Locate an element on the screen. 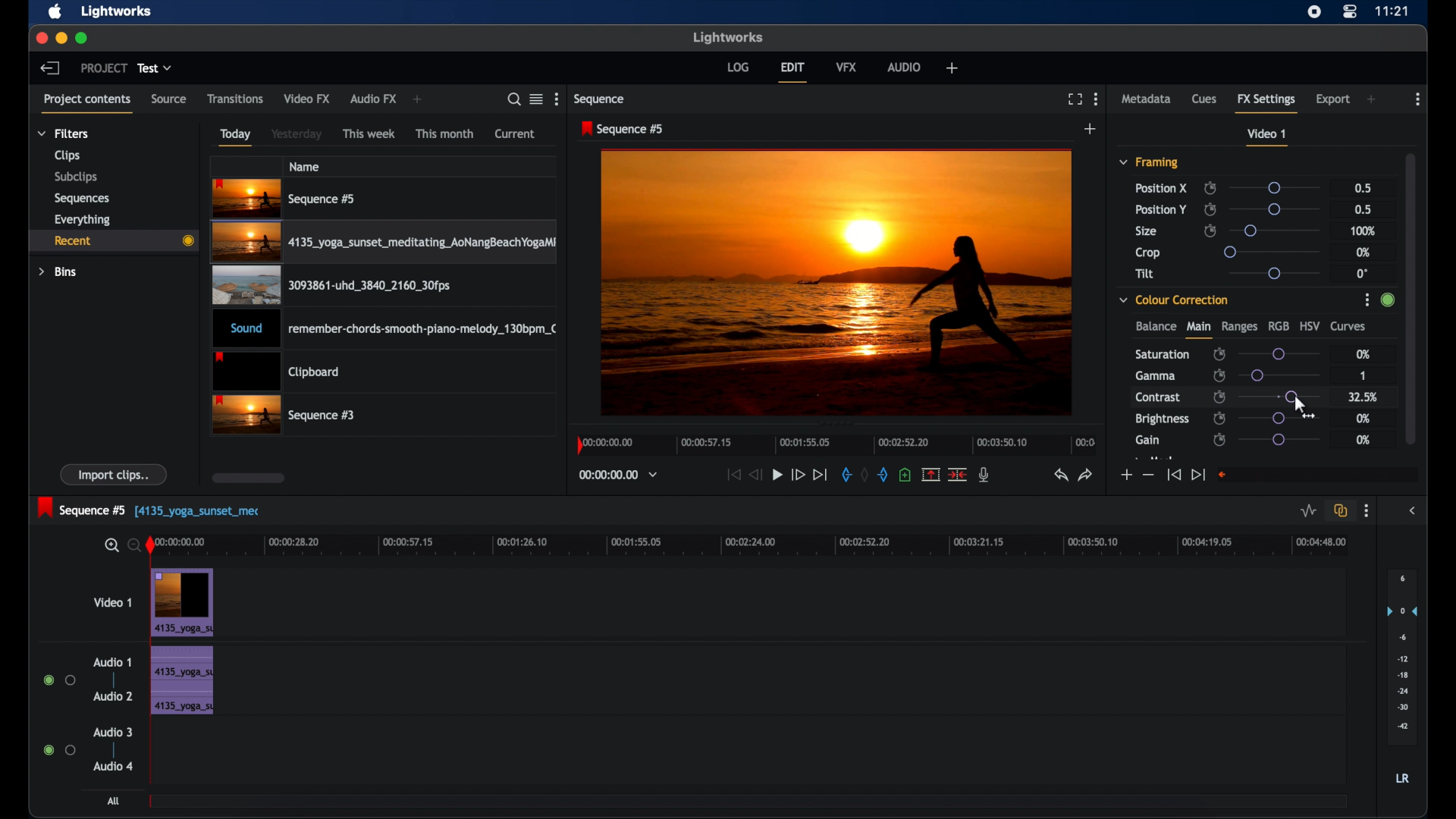 The width and height of the screenshot is (1456, 819). close is located at coordinates (40, 37).